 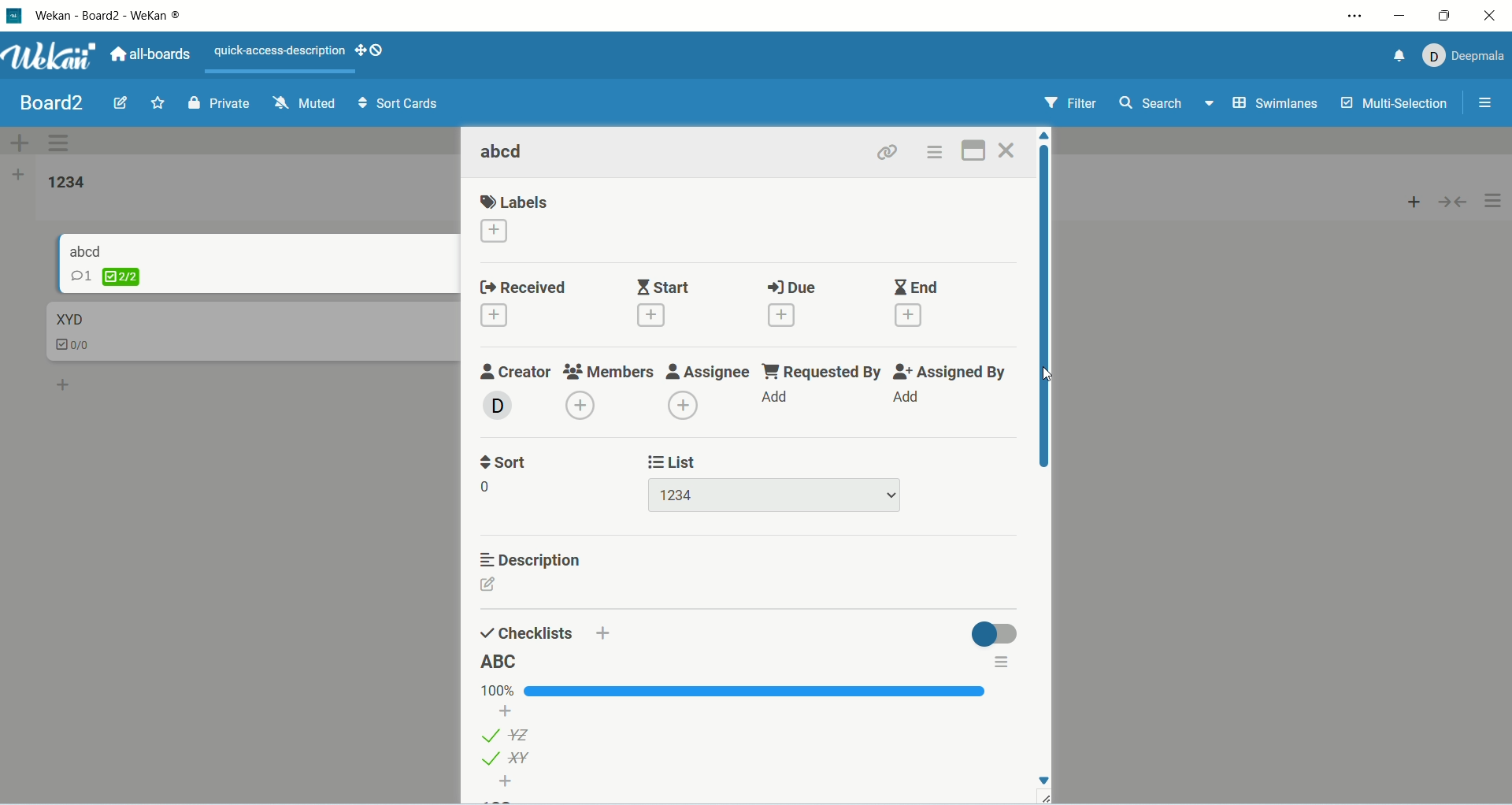 I want to click on swimlanes, so click(x=1274, y=104).